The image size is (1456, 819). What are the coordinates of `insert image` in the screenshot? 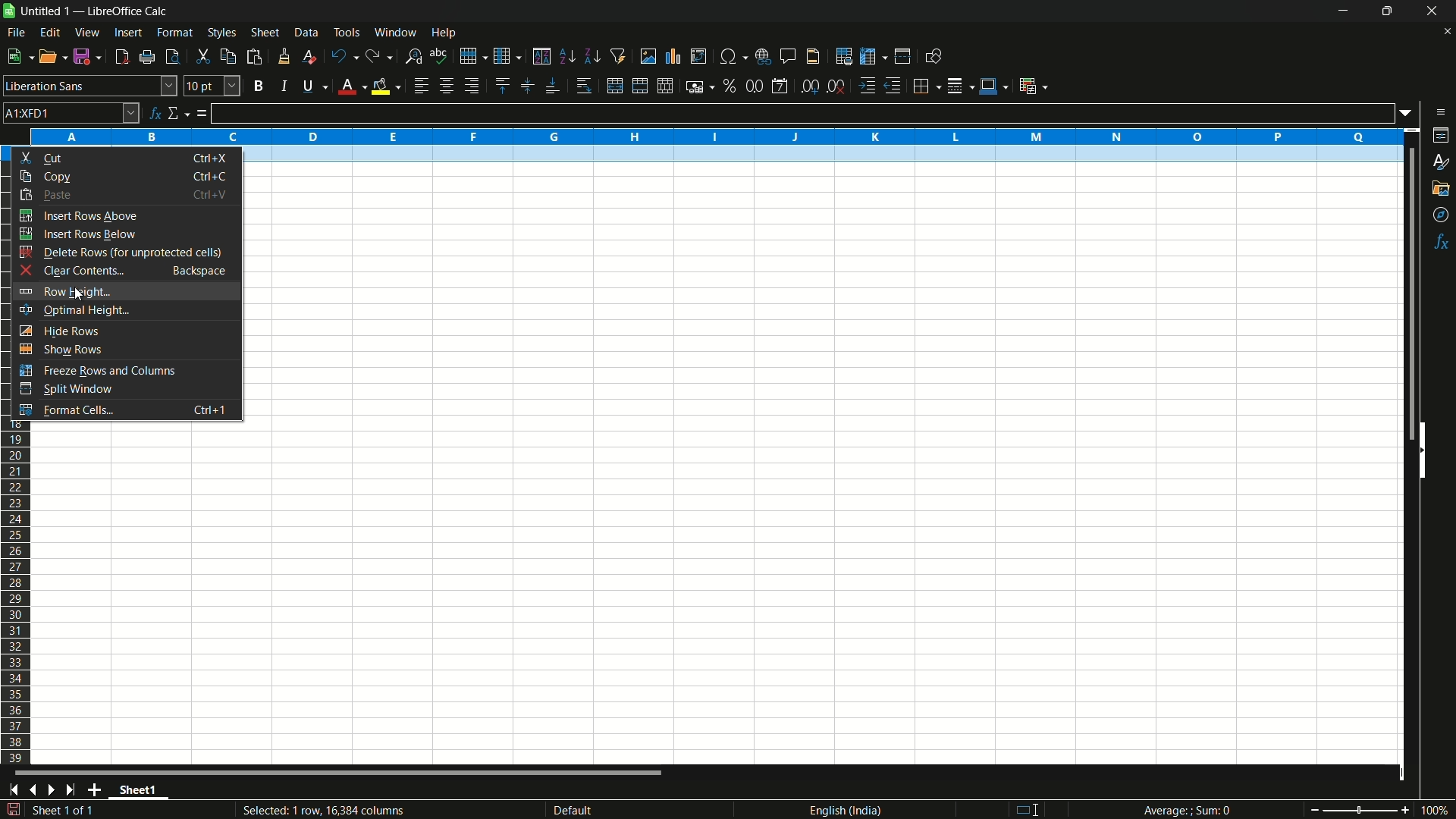 It's located at (648, 55).